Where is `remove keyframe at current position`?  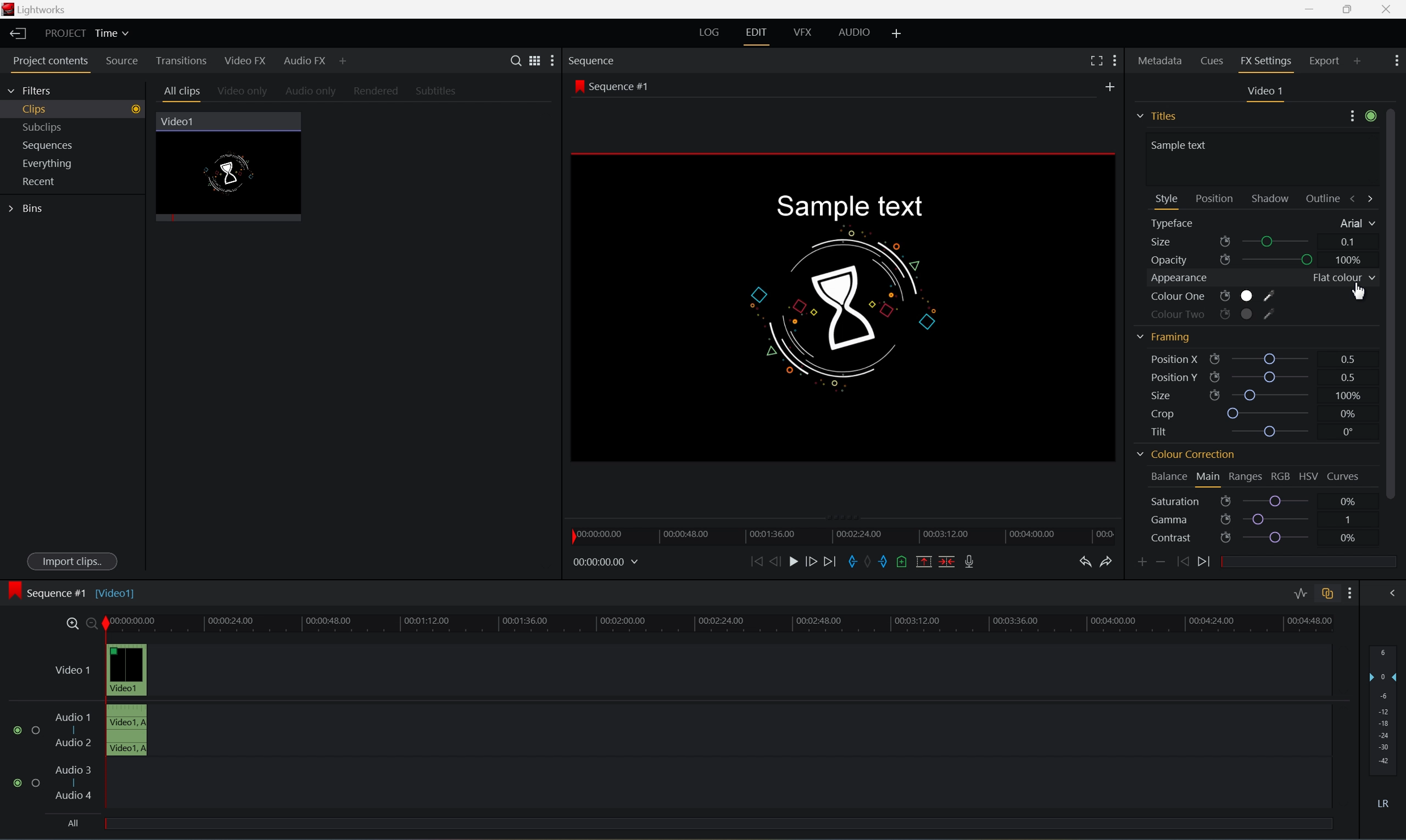 remove keyframe at current position is located at coordinates (1160, 560).